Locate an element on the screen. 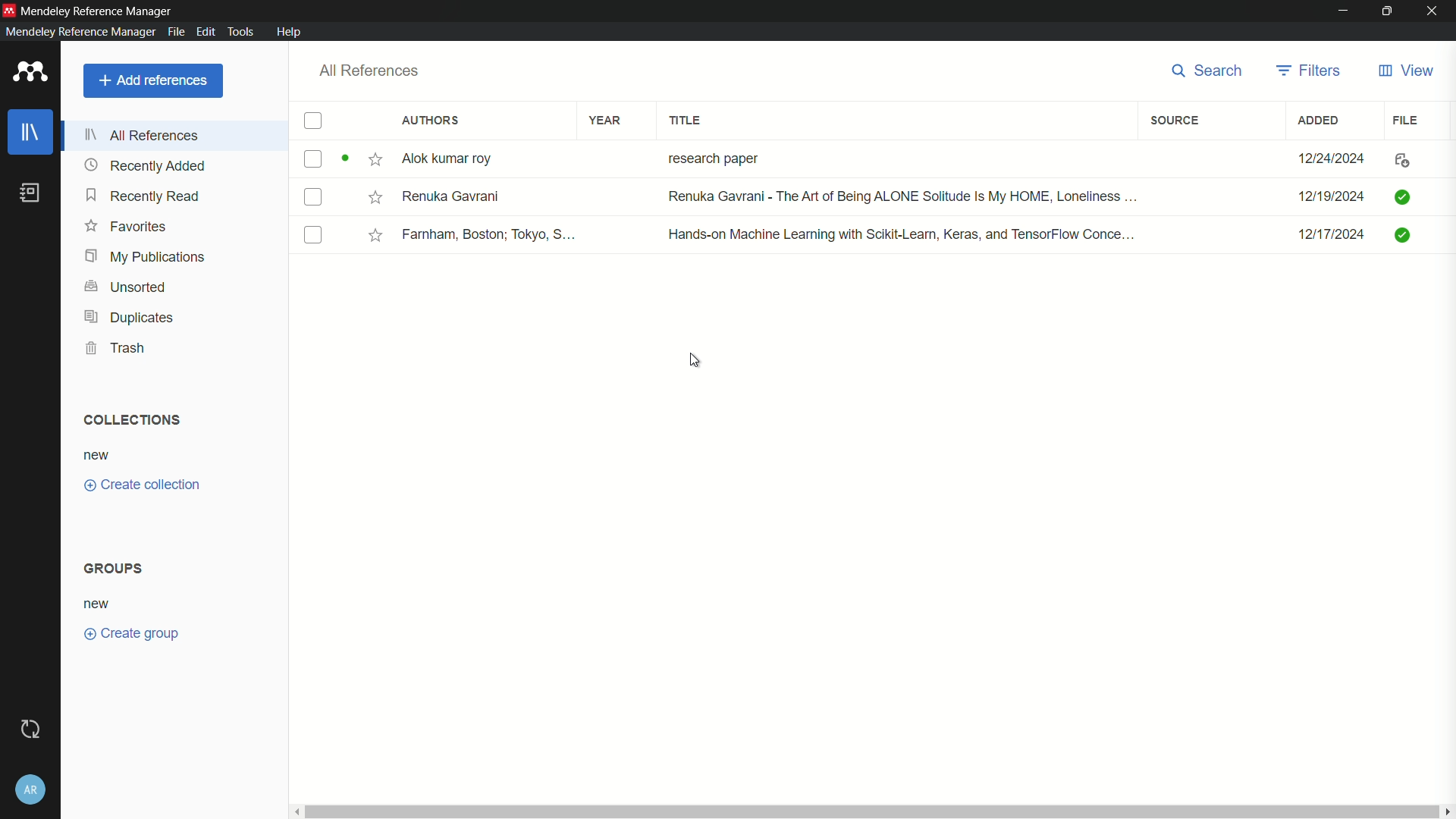 Image resolution: width=1456 pixels, height=819 pixels. book is located at coordinates (31, 193).